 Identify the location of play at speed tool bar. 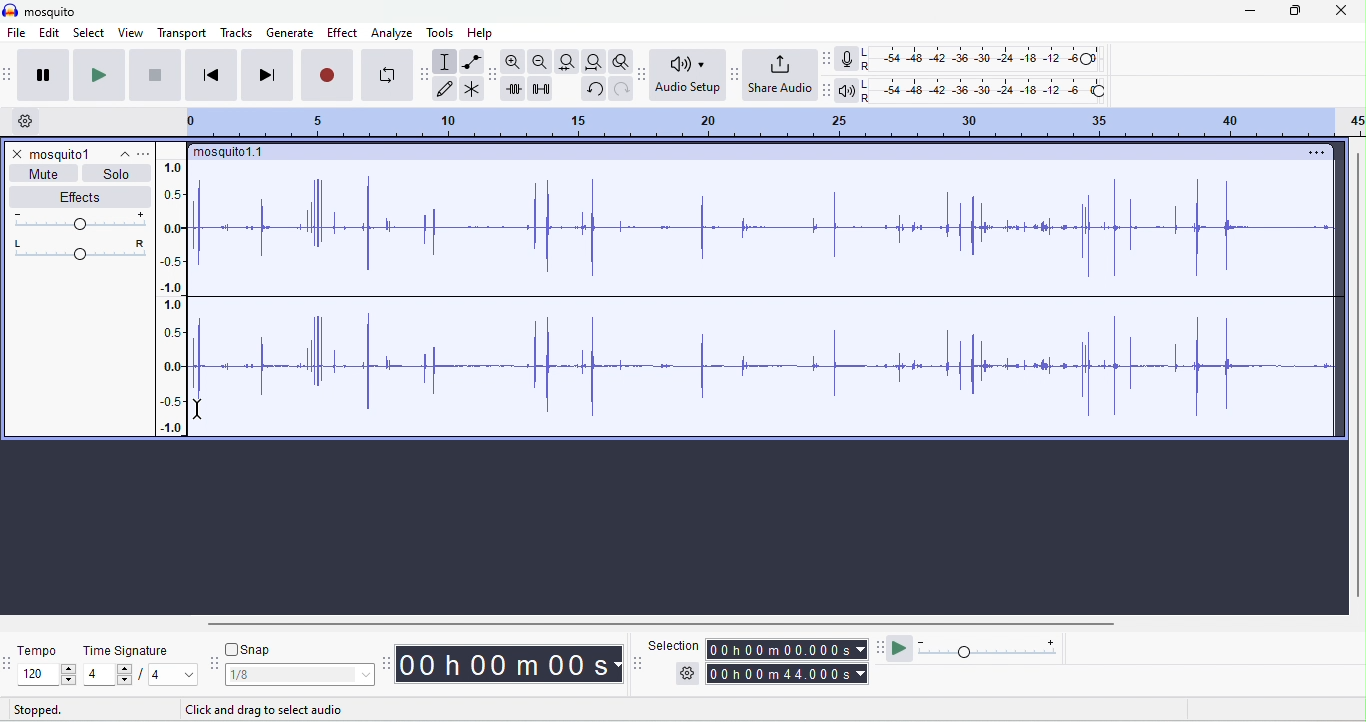
(881, 649).